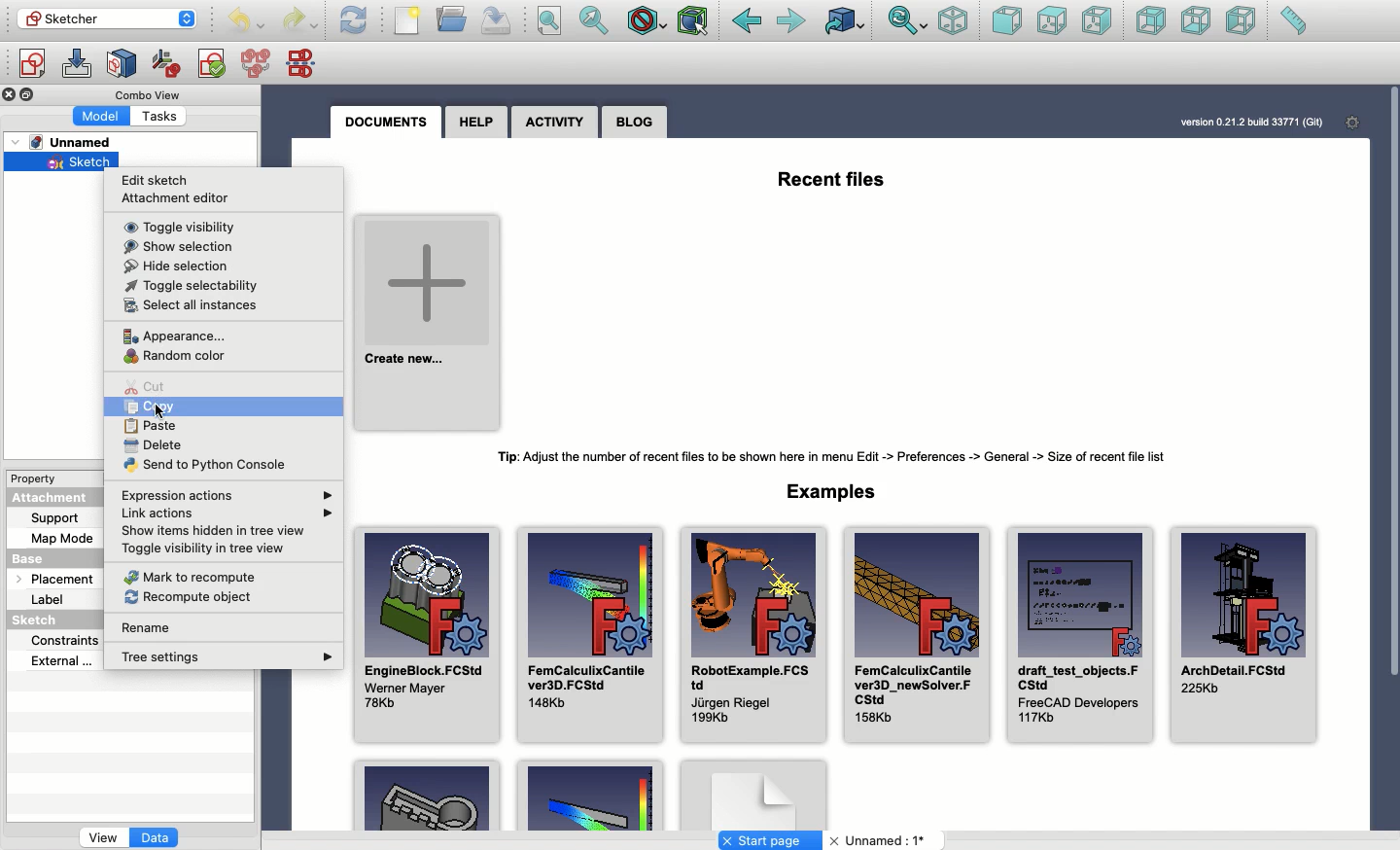  Describe the element at coordinates (1151, 20) in the screenshot. I see `Rear` at that location.